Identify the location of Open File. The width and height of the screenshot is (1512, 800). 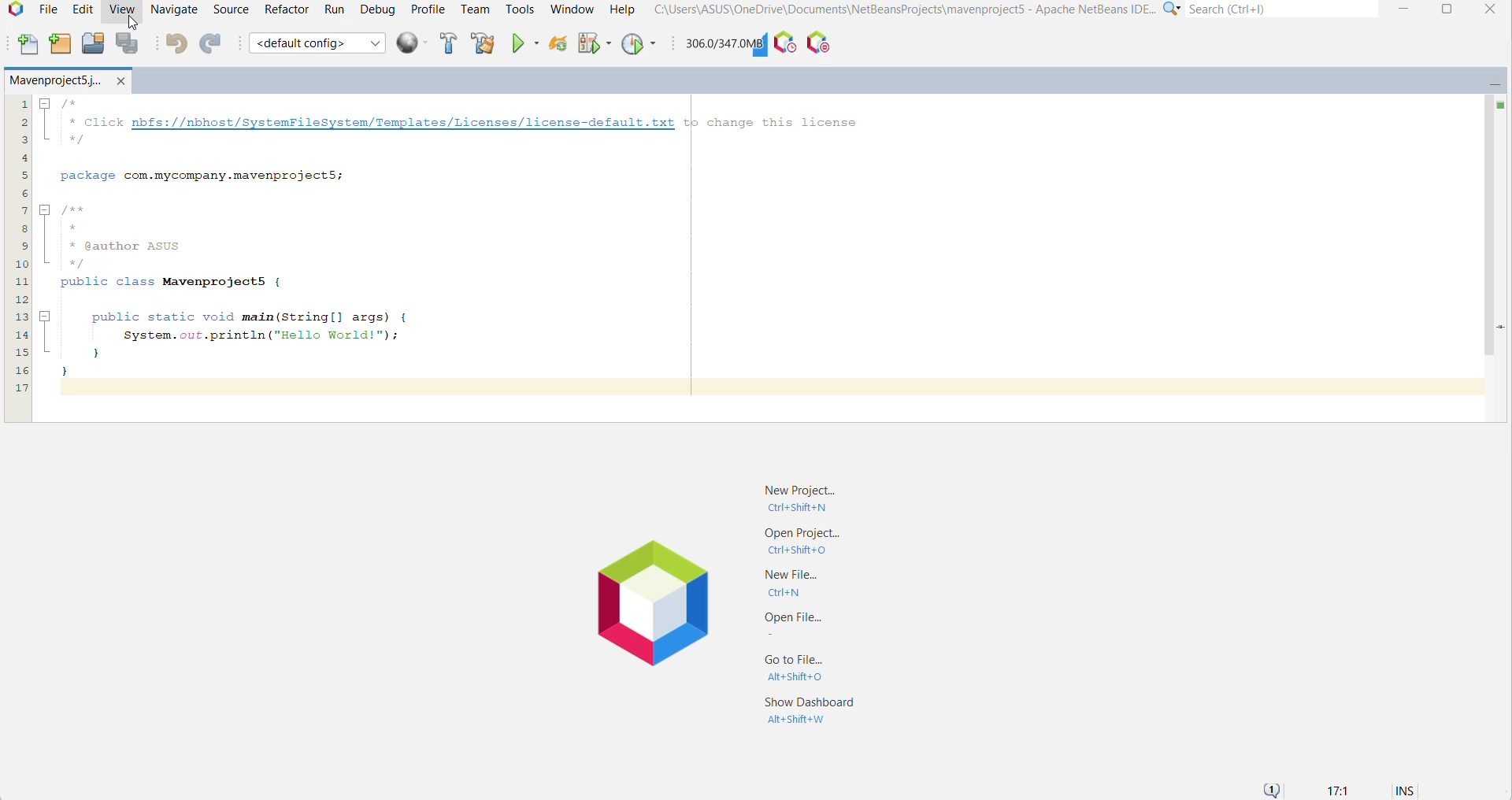
(791, 625).